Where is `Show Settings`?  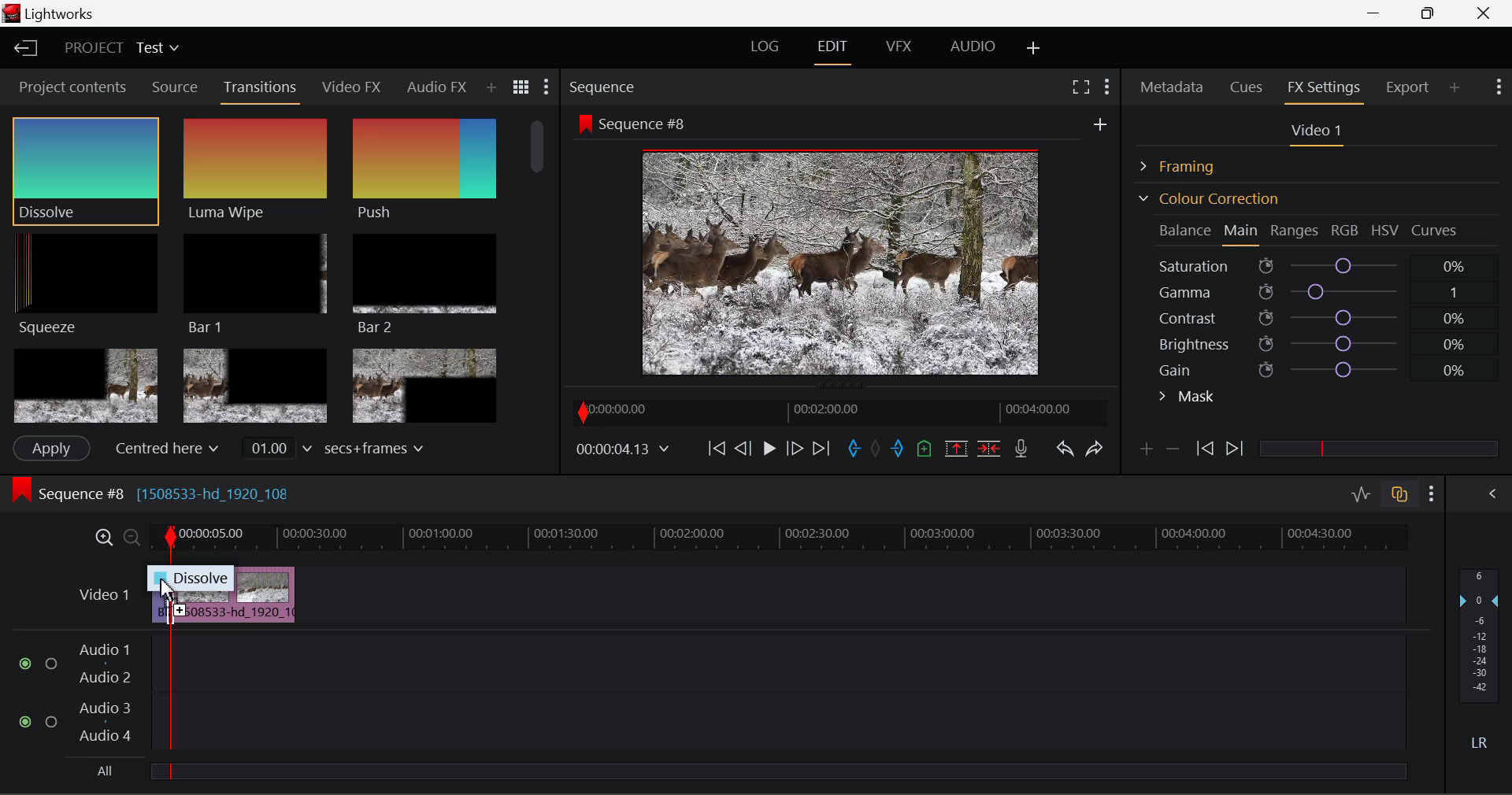
Show Settings is located at coordinates (1106, 84).